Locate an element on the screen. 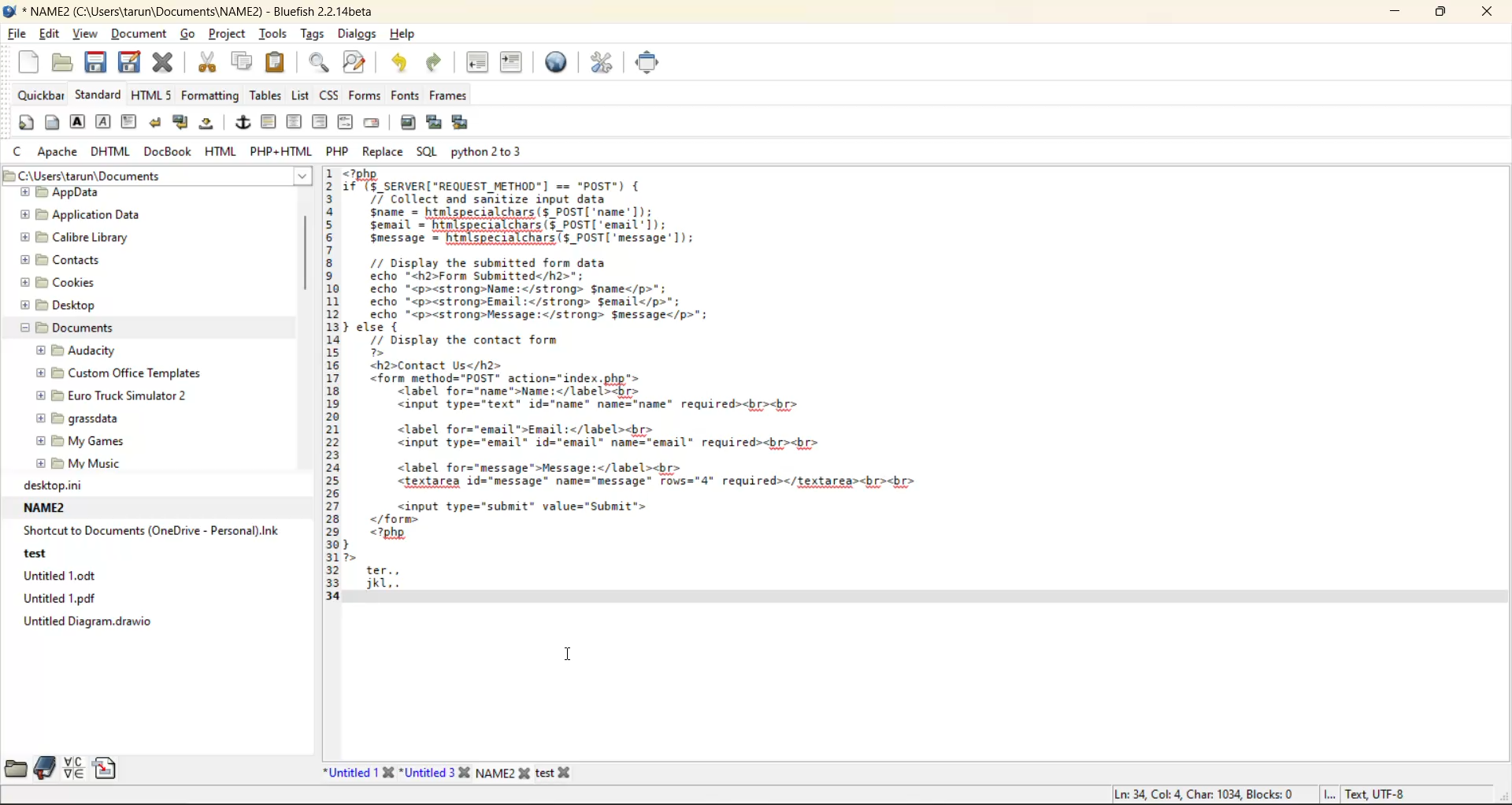 Image resolution: width=1512 pixels, height=805 pixels. paragraph is located at coordinates (132, 123).